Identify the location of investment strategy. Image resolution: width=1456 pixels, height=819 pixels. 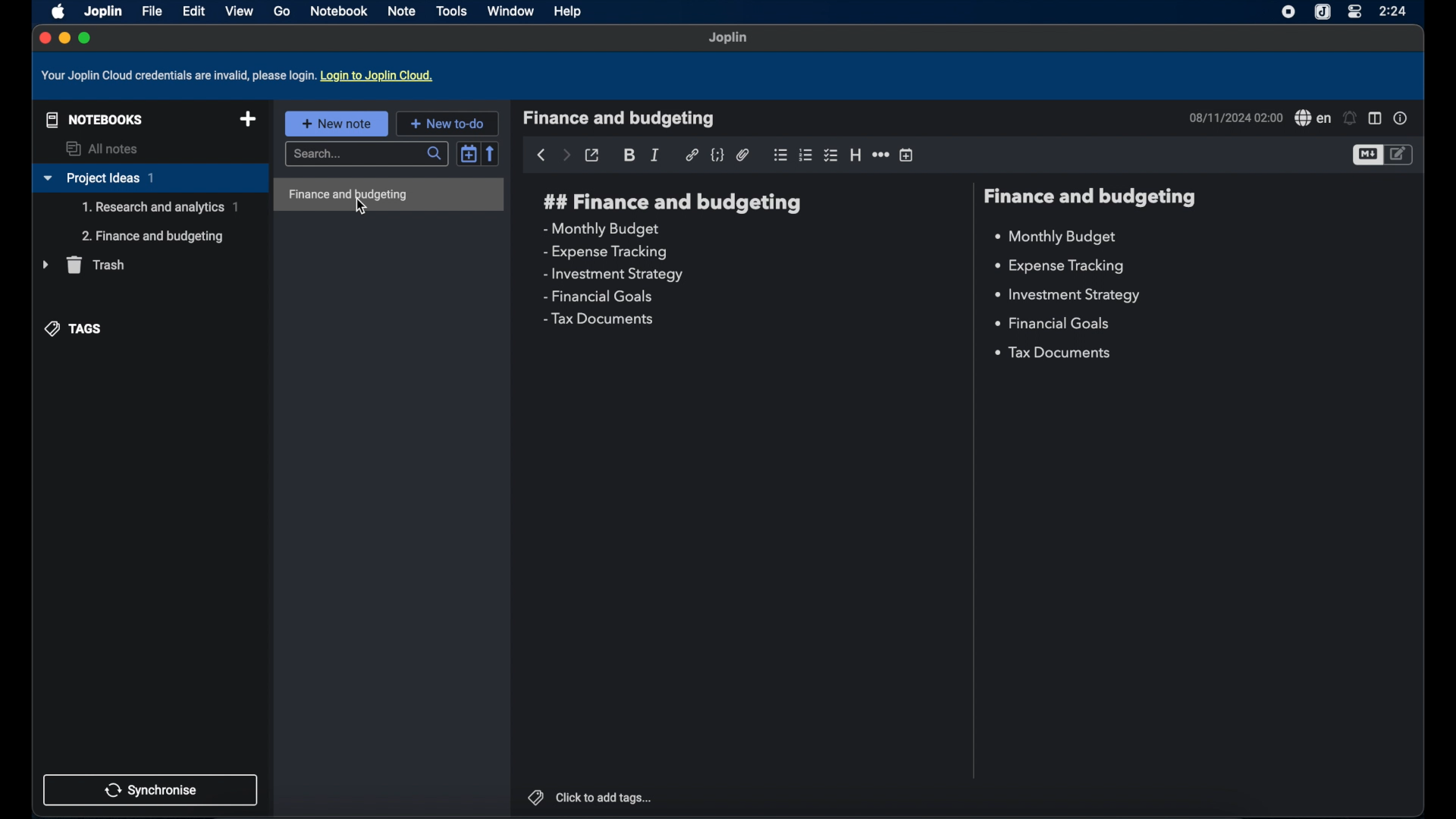
(614, 275).